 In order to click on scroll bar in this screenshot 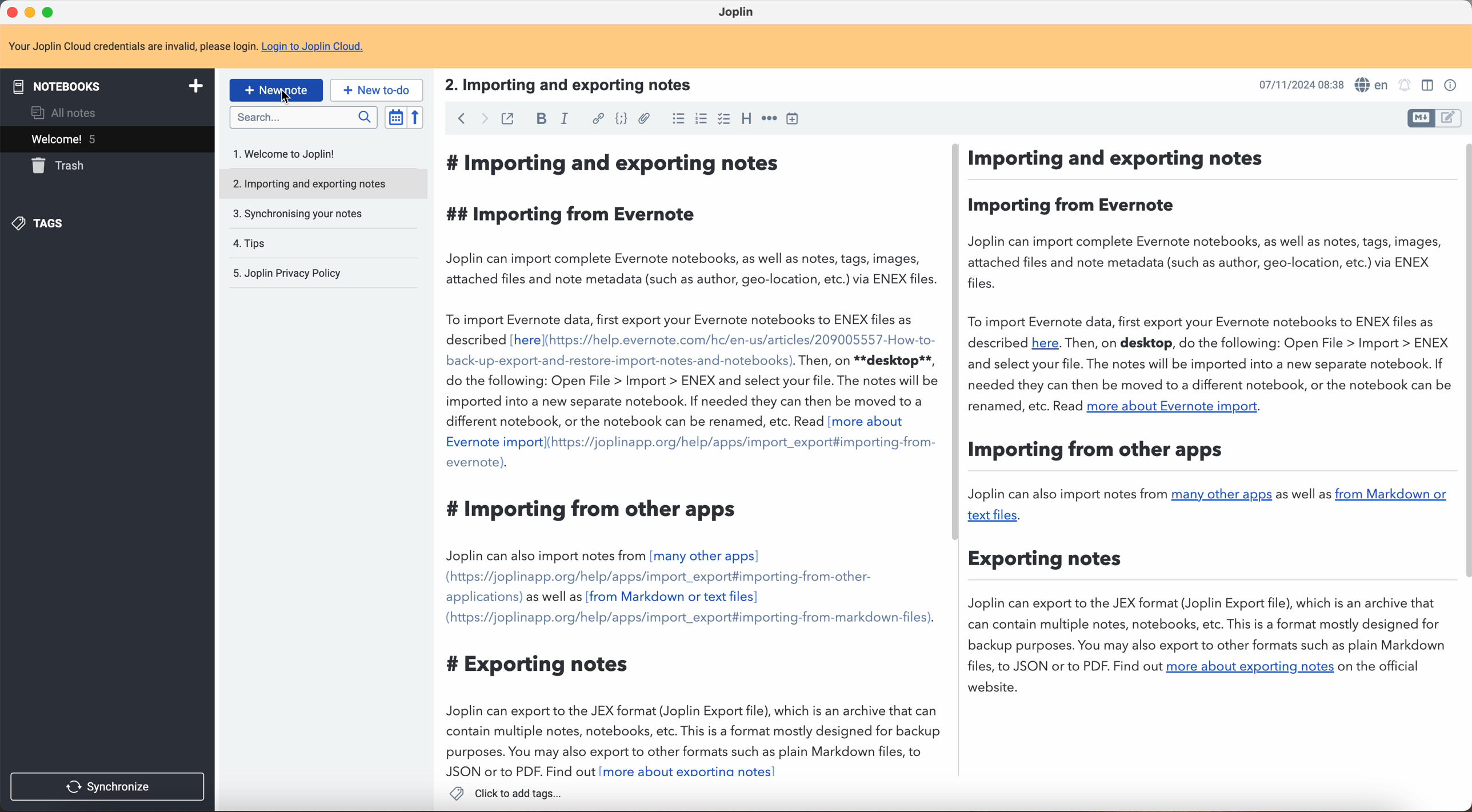, I will do `click(956, 345)`.